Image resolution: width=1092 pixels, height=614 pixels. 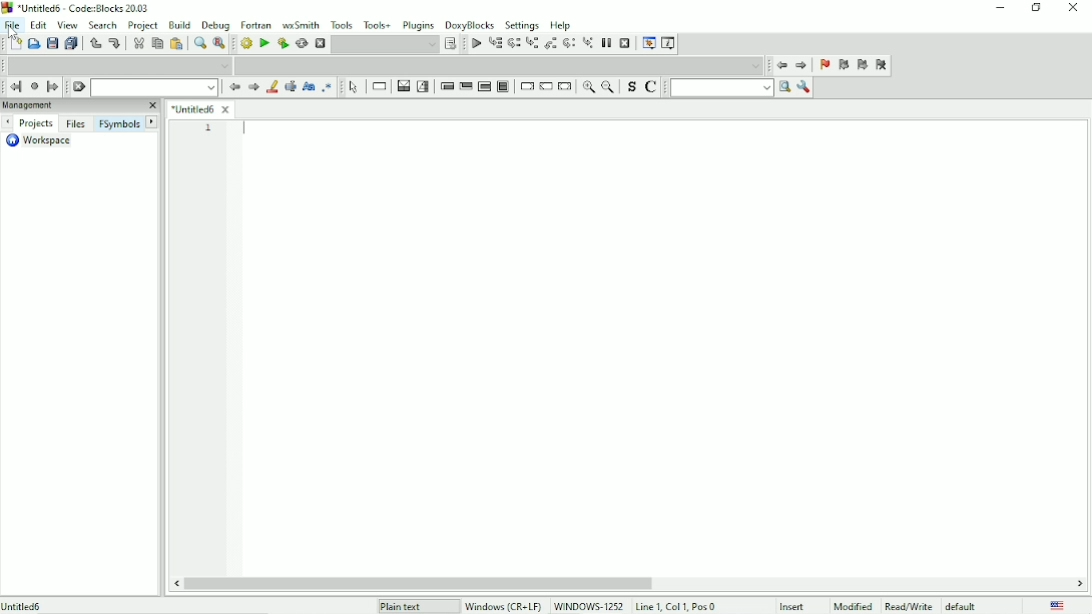 I want to click on Step into, so click(x=532, y=44).